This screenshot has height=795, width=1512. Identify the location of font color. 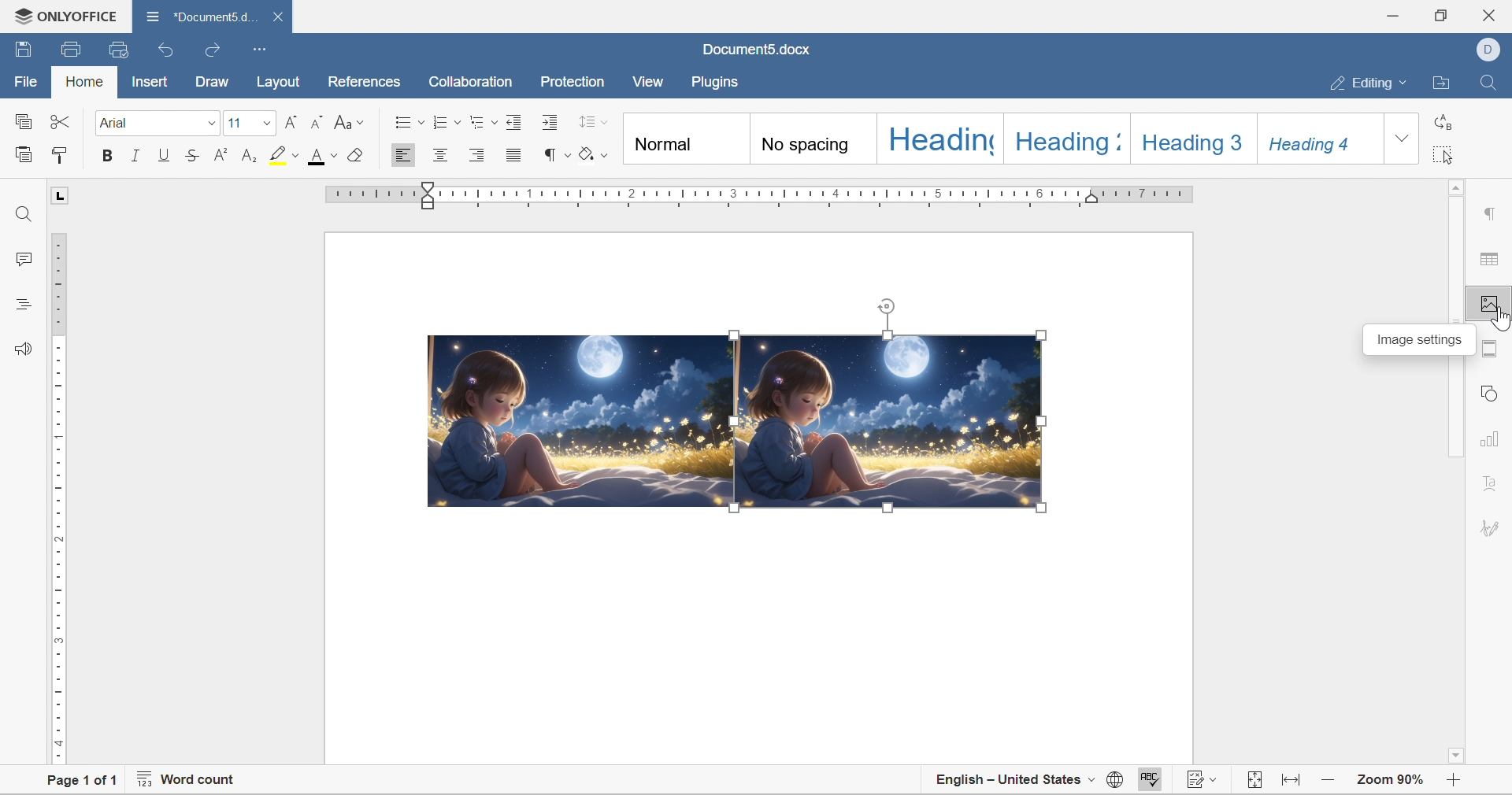
(324, 155).